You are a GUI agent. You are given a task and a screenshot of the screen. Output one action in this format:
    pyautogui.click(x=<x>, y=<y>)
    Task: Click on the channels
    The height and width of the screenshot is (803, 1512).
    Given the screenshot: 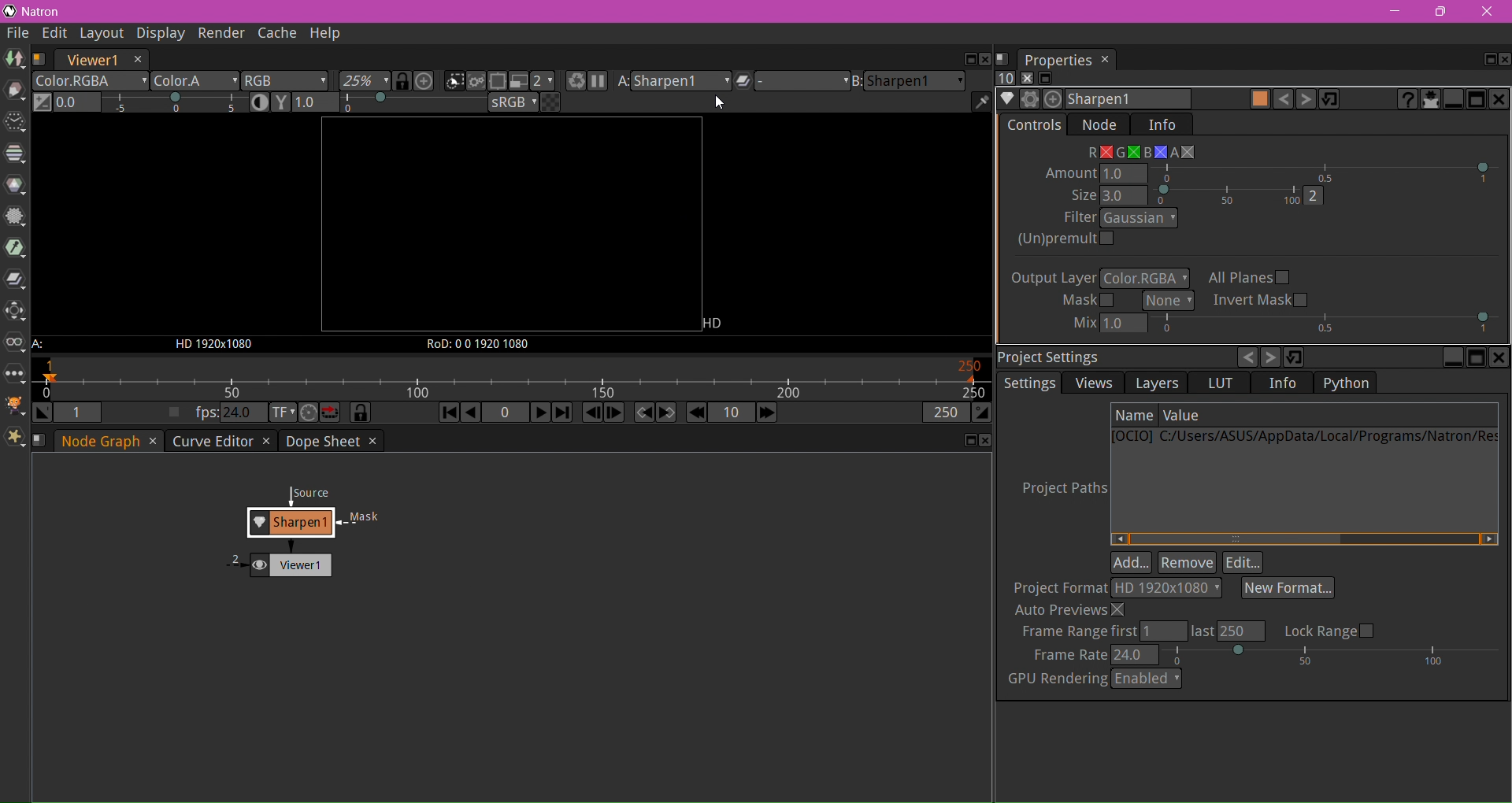 What is the action you would take?
    pyautogui.click(x=1144, y=279)
    